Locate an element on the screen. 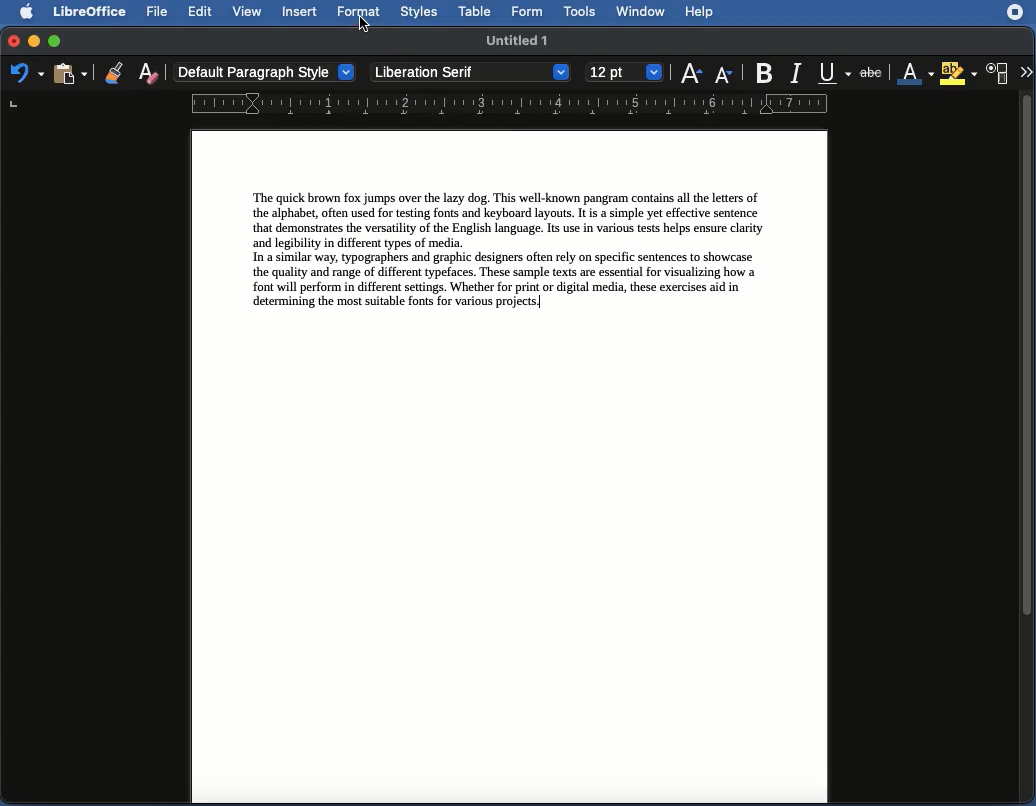 Image resolution: width=1036 pixels, height=806 pixels. Format  is located at coordinates (358, 12).